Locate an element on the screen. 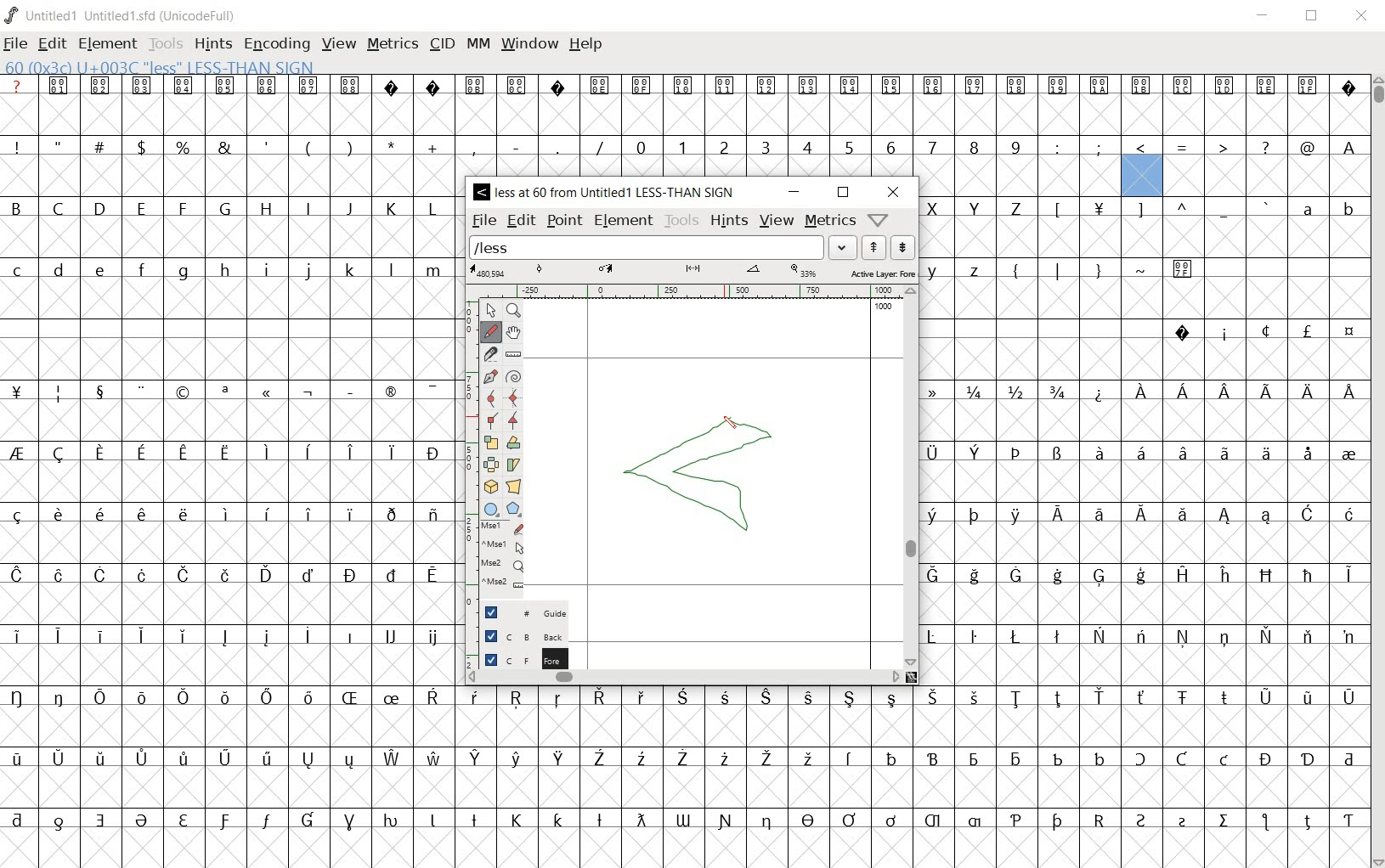  mm is located at coordinates (477, 45).